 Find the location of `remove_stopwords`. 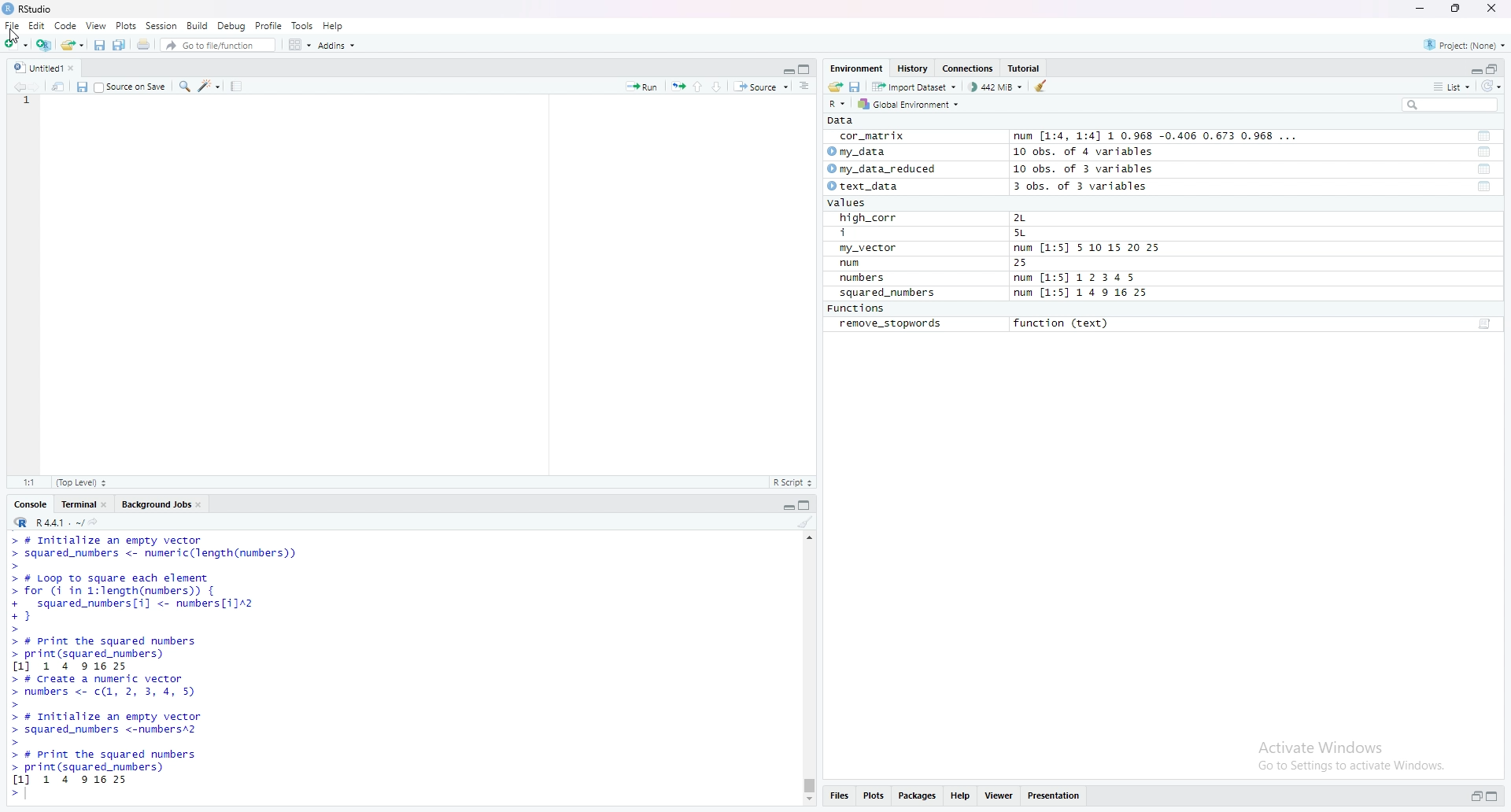

remove_stopwords is located at coordinates (892, 324).